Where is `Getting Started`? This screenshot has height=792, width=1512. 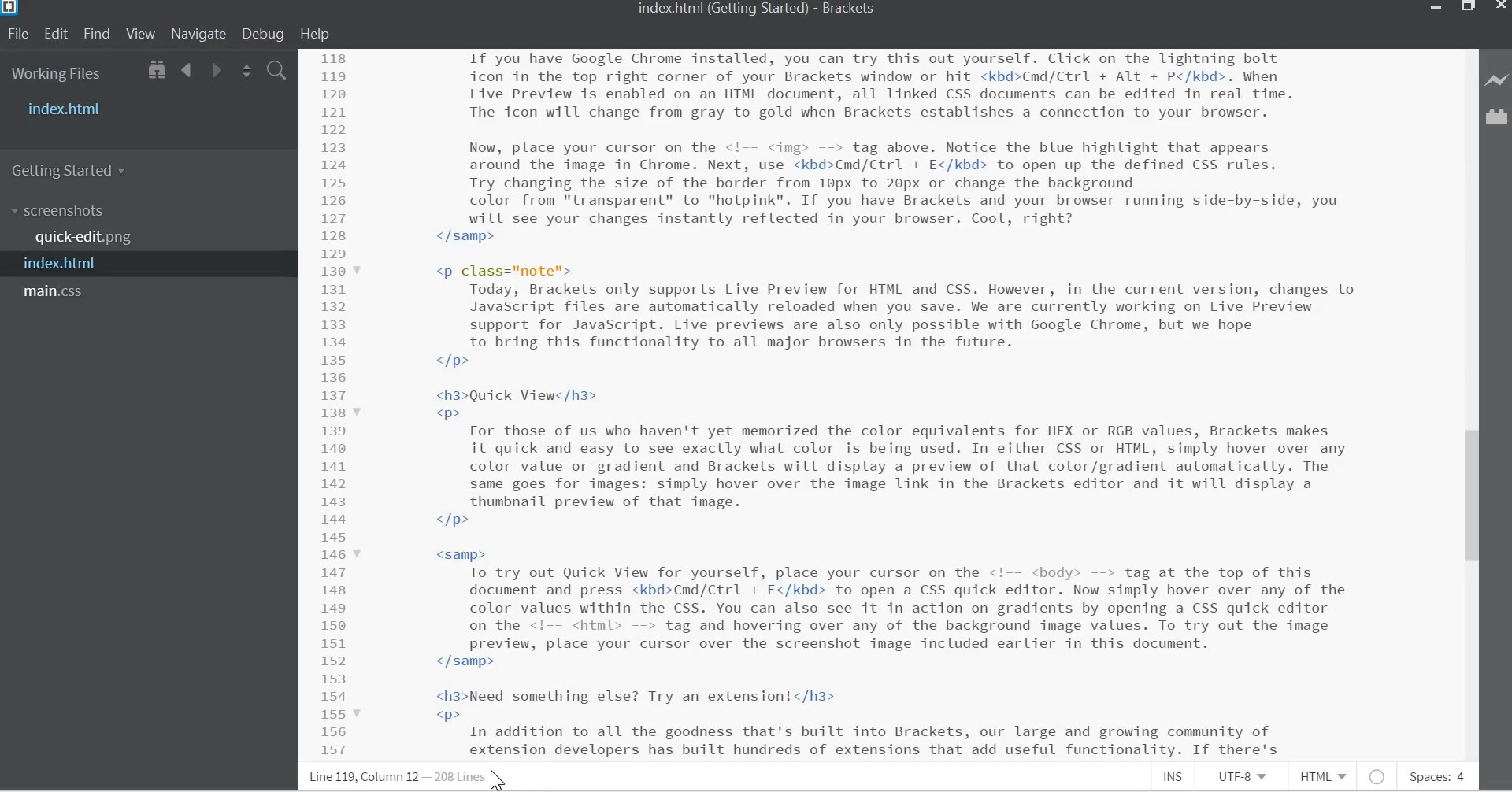 Getting Started is located at coordinates (70, 171).